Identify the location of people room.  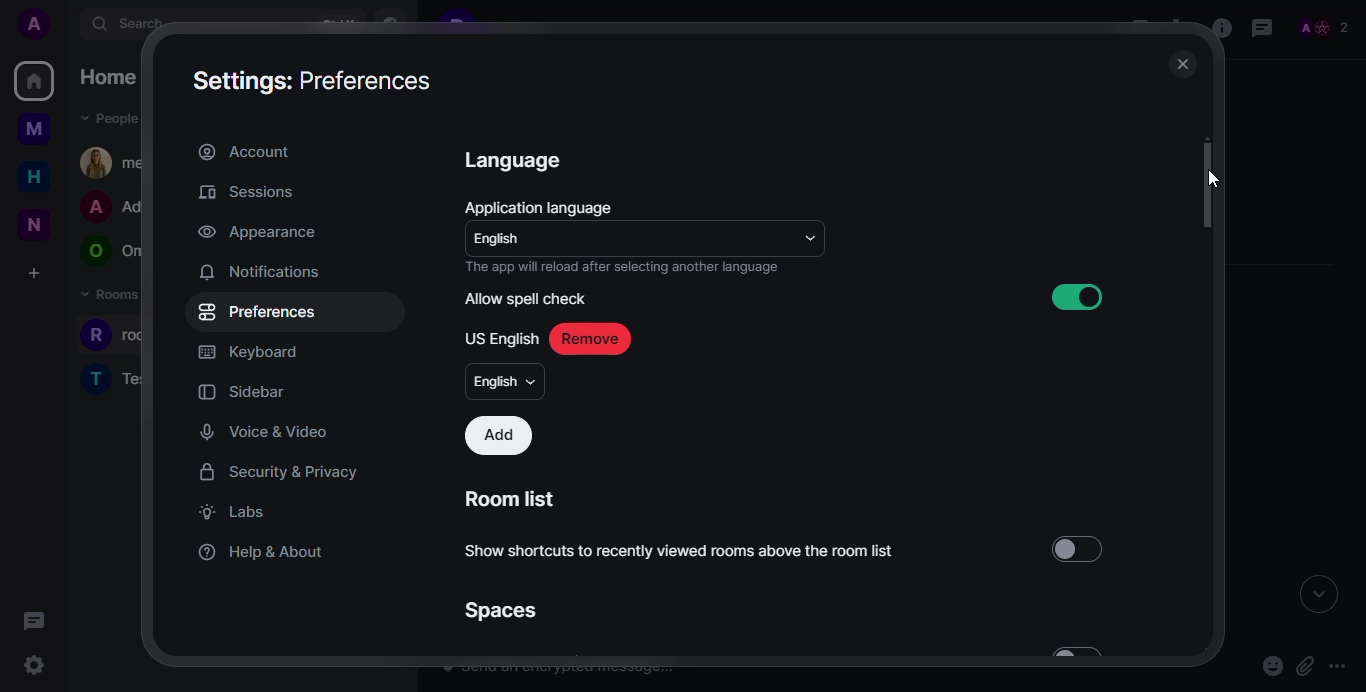
(115, 208).